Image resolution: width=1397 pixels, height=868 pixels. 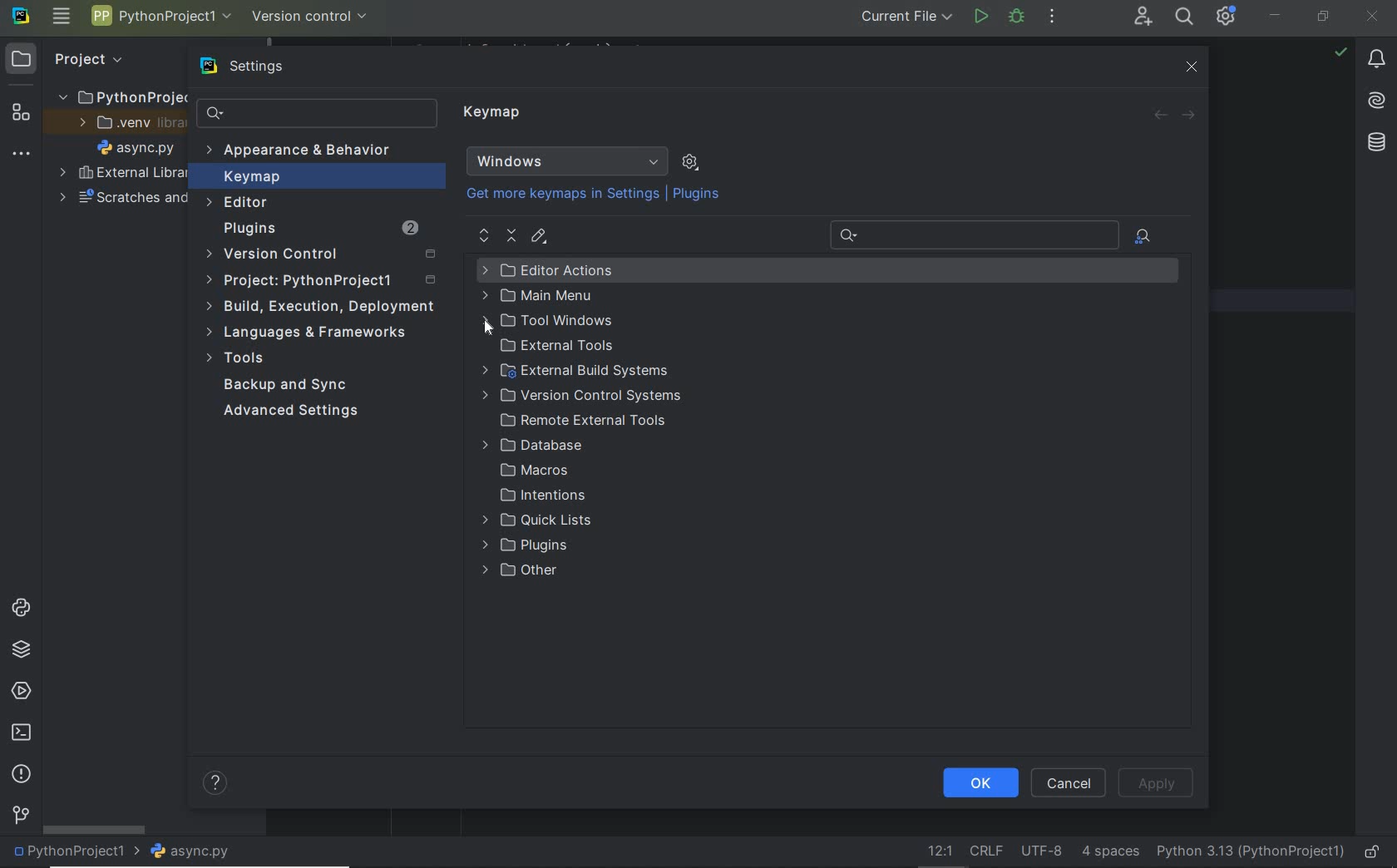 I want to click on More tool windows, so click(x=22, y=150).